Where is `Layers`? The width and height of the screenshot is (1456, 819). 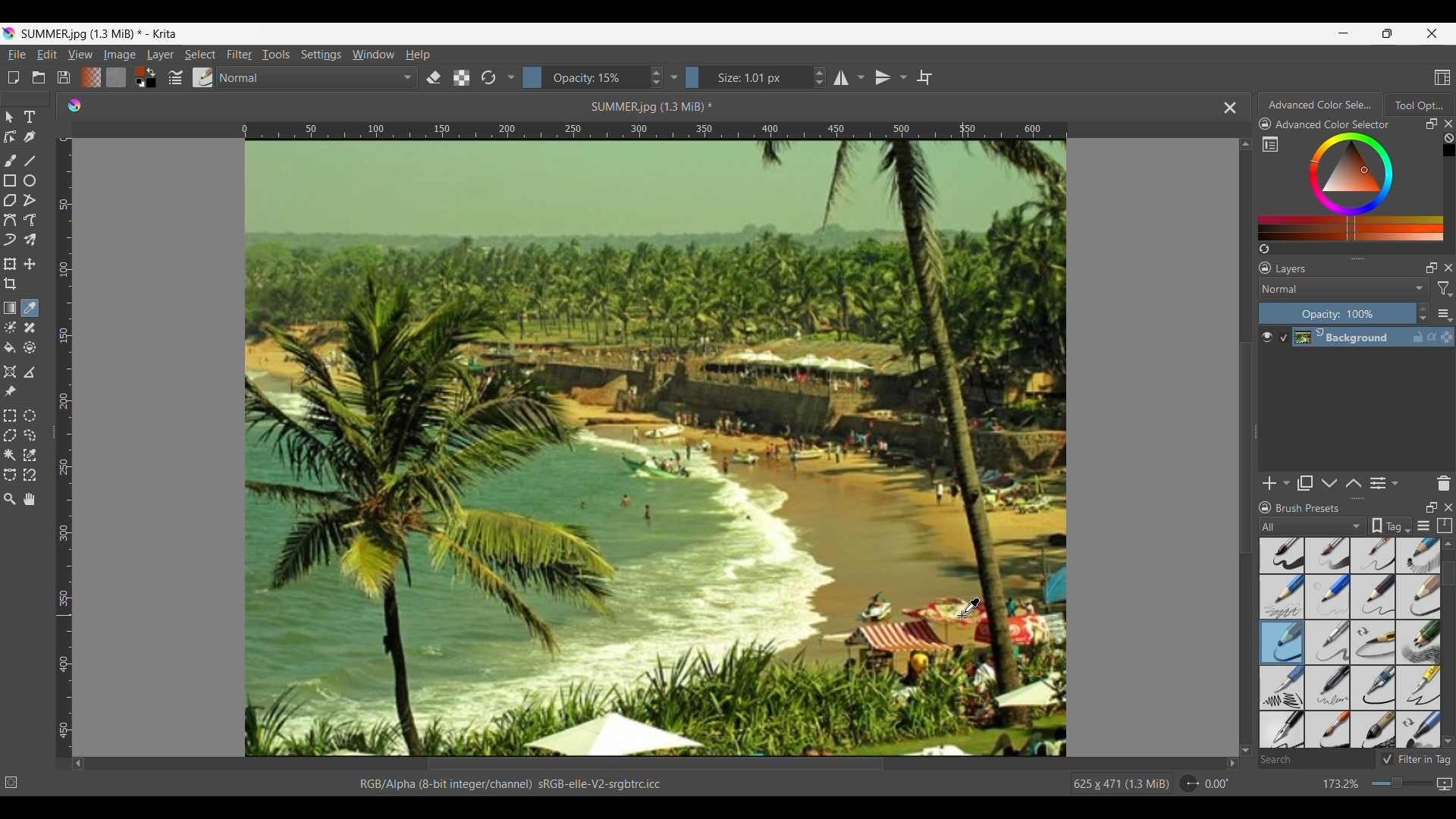 Layers is located at coordinates (1292, 269).